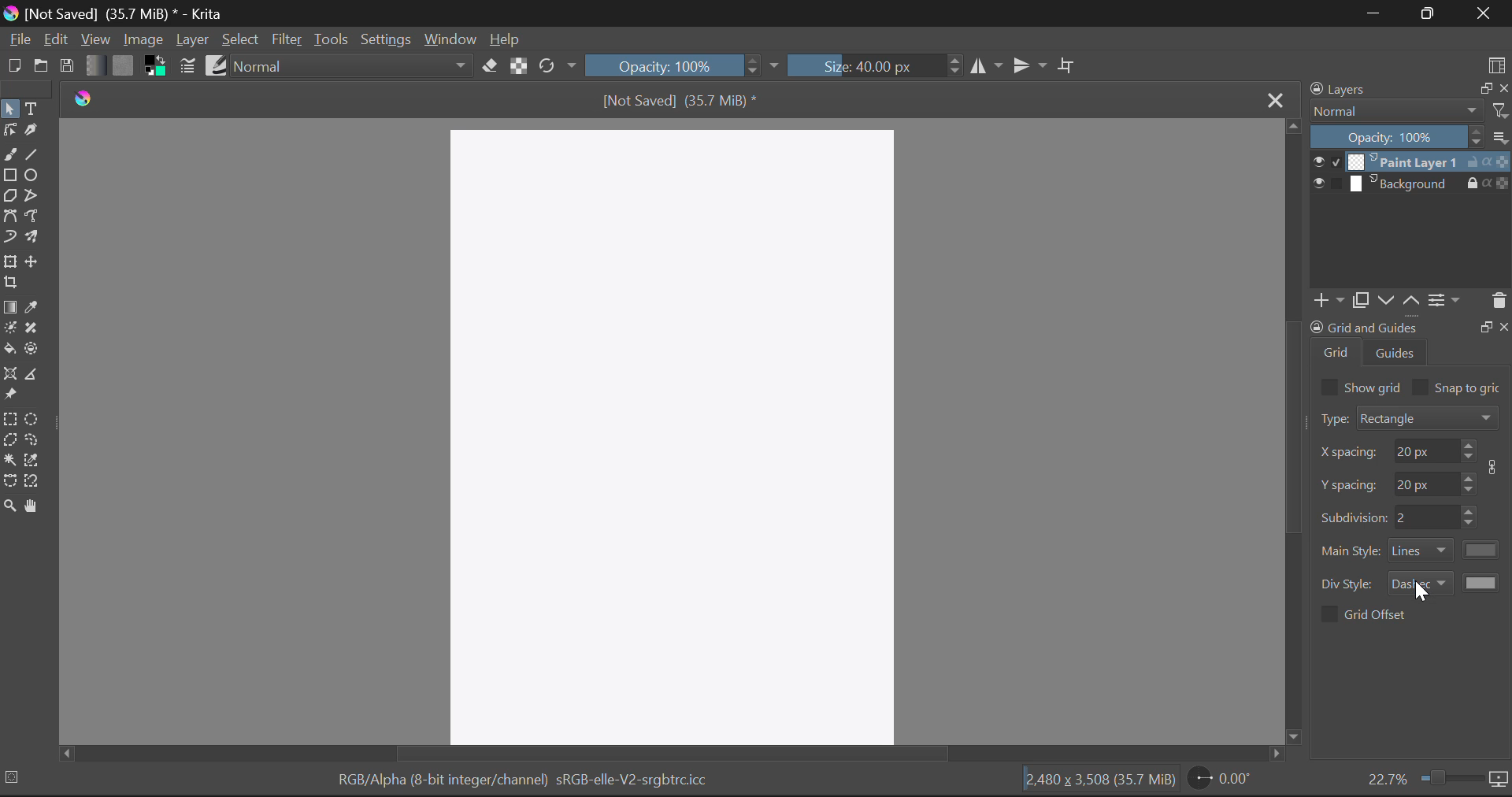 This screenshot has width=1512, height=797. What do you see at coordinates (11, 197) in the screenshot?
I see `Polygon` at bounding box center [11, 197].